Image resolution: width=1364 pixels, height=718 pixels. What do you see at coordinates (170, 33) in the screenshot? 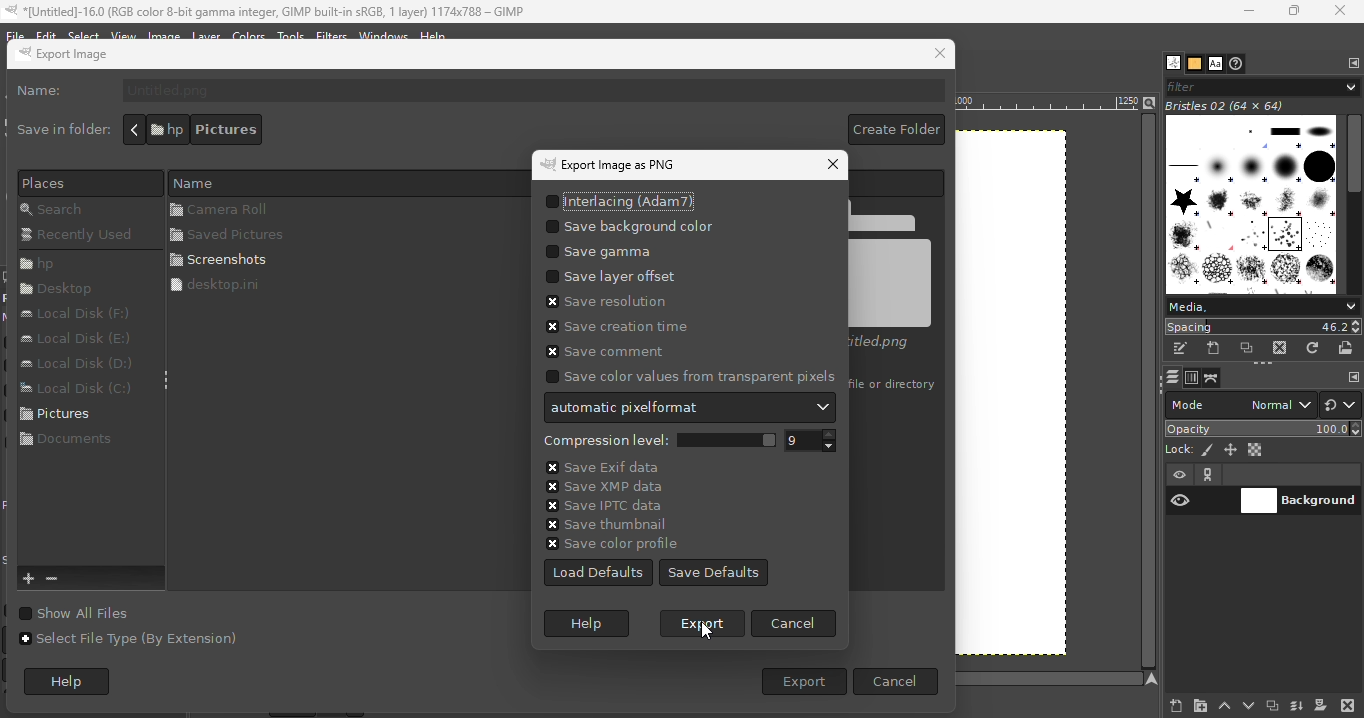
I see `Image` at bounding box center [170, 33].